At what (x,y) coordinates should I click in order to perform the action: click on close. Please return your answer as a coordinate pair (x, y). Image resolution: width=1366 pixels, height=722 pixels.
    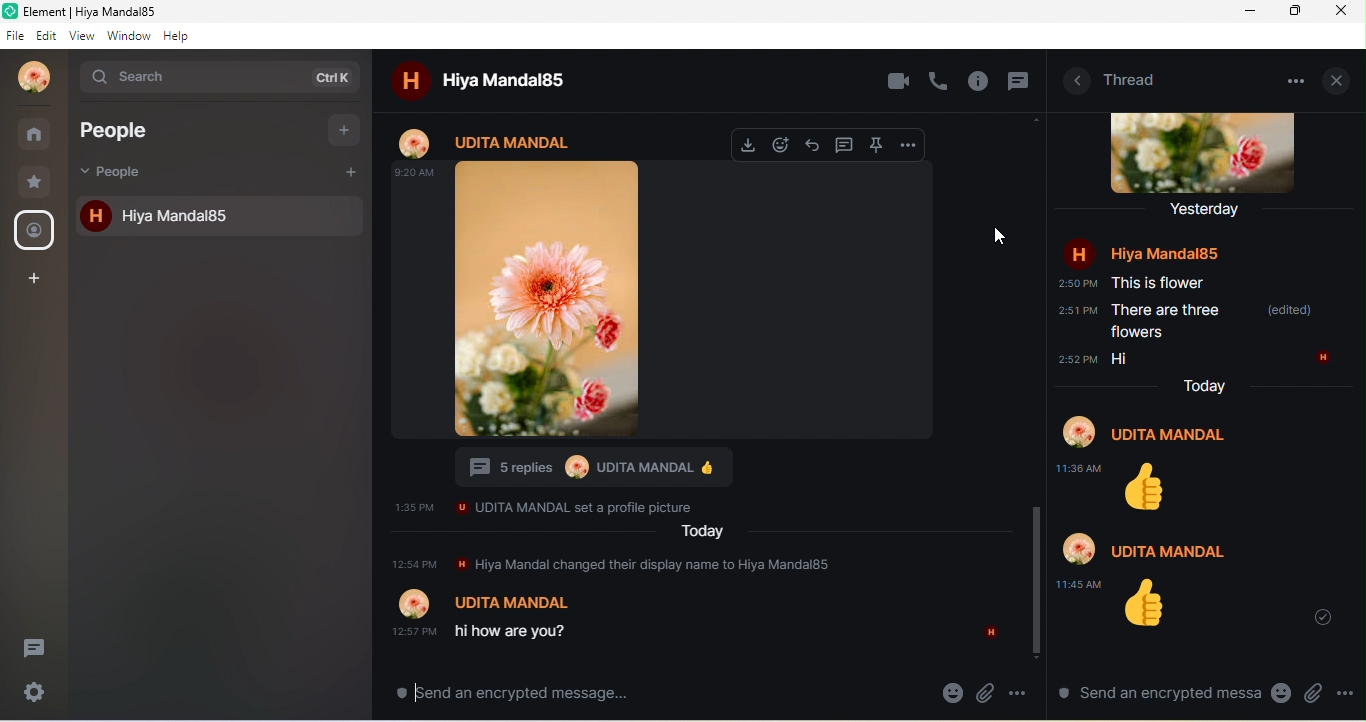
    Looking at the image, I should click on (1344, 11).